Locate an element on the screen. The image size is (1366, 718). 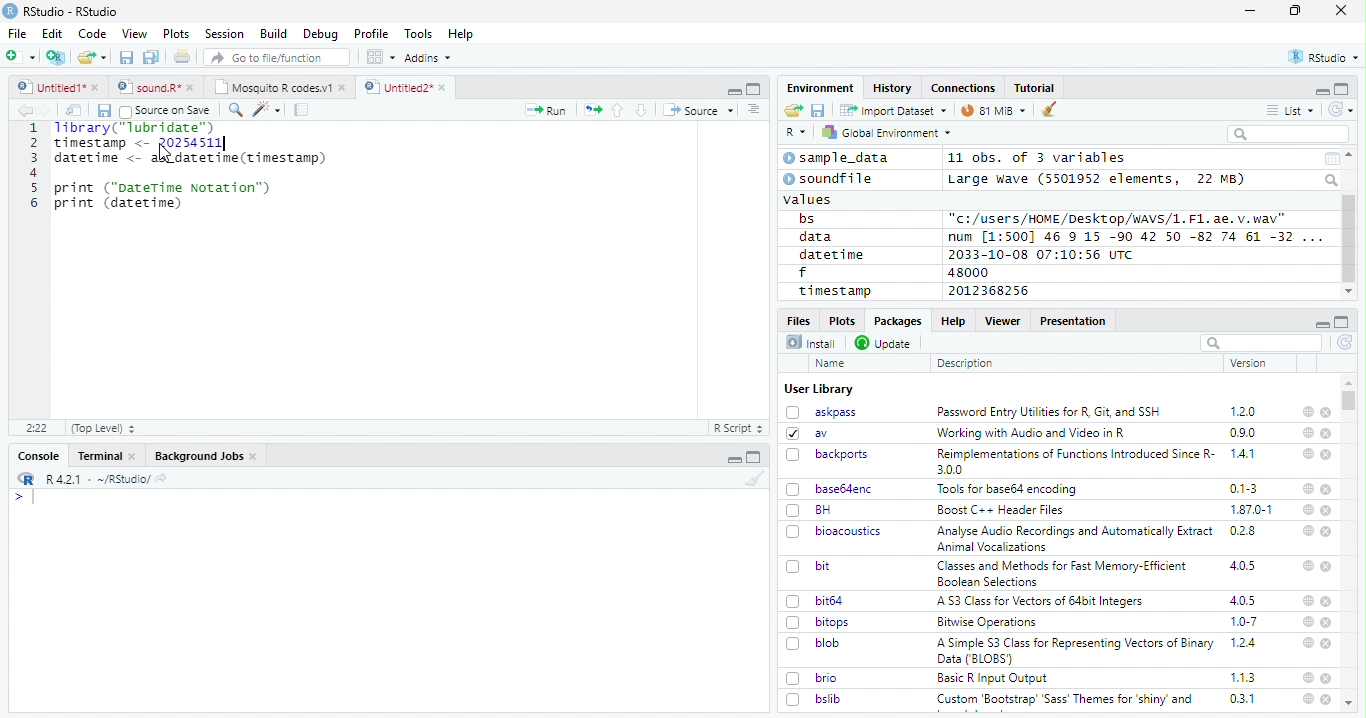
Viewer is located at coordinates (1003, 320).